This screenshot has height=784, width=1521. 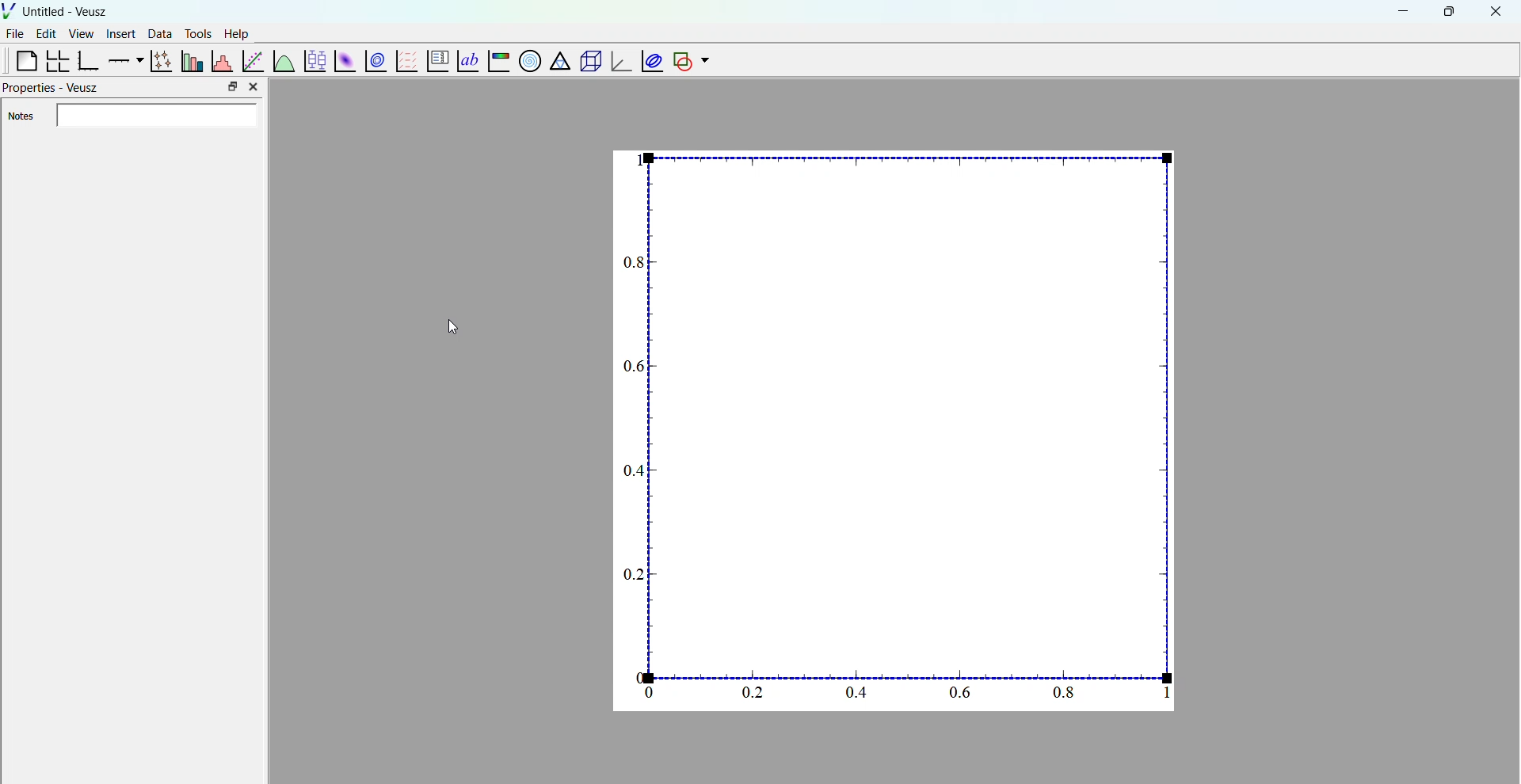 I want to click on plot a vector table, so click(x=405, y=60).